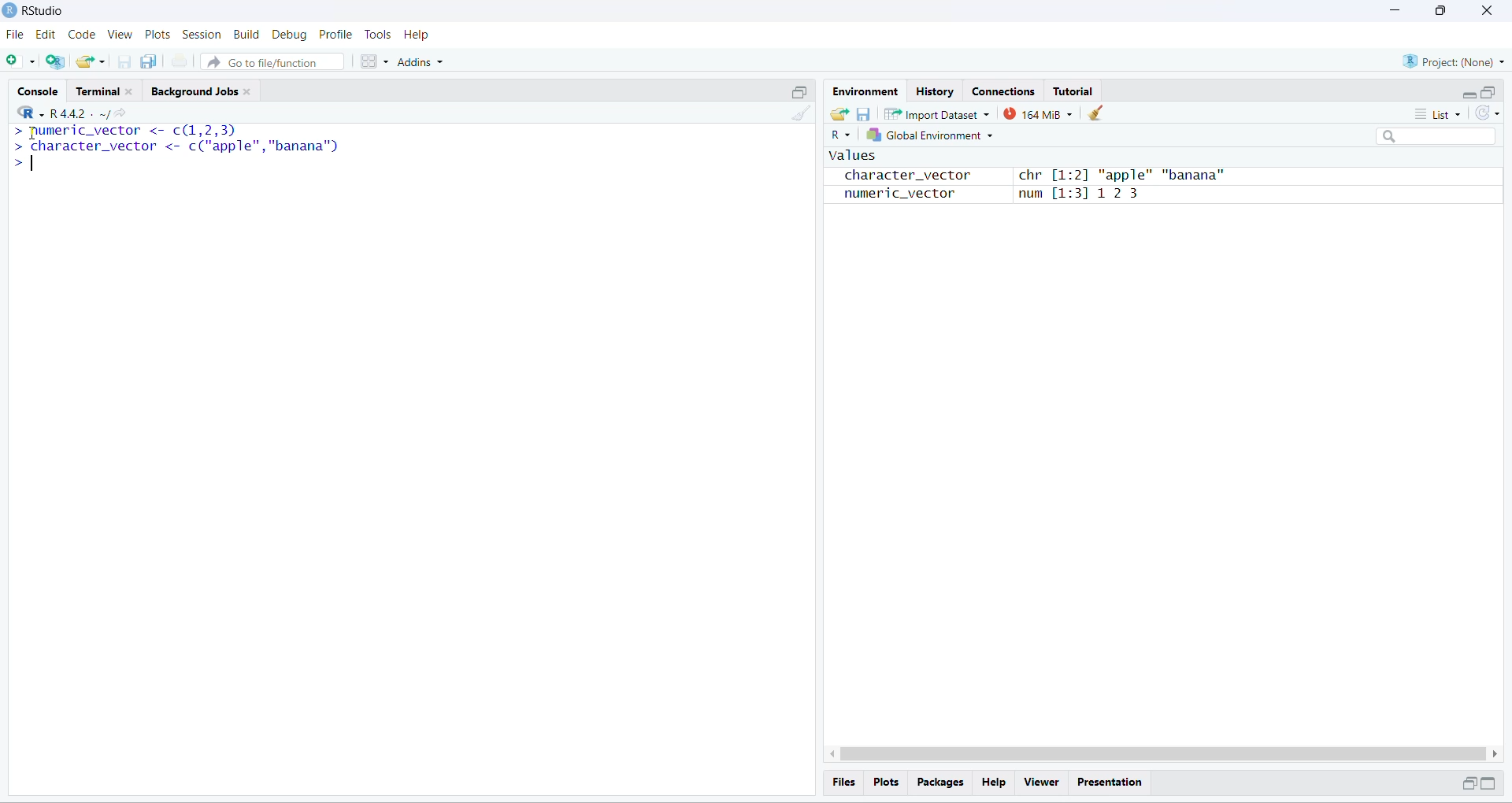  Describe the element at coordinates (940, 783) in the screenshot. I see `Packages` at that location.